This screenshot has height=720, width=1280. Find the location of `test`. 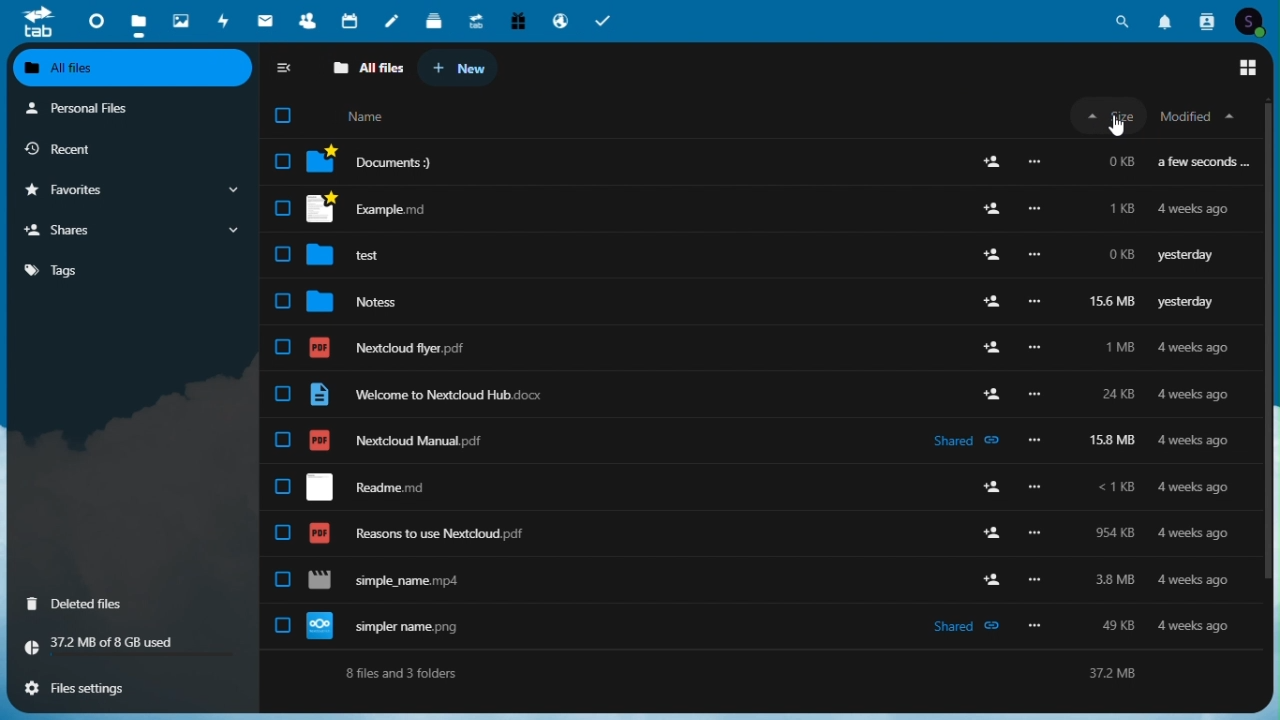

test is located at coordinates (744, 258).